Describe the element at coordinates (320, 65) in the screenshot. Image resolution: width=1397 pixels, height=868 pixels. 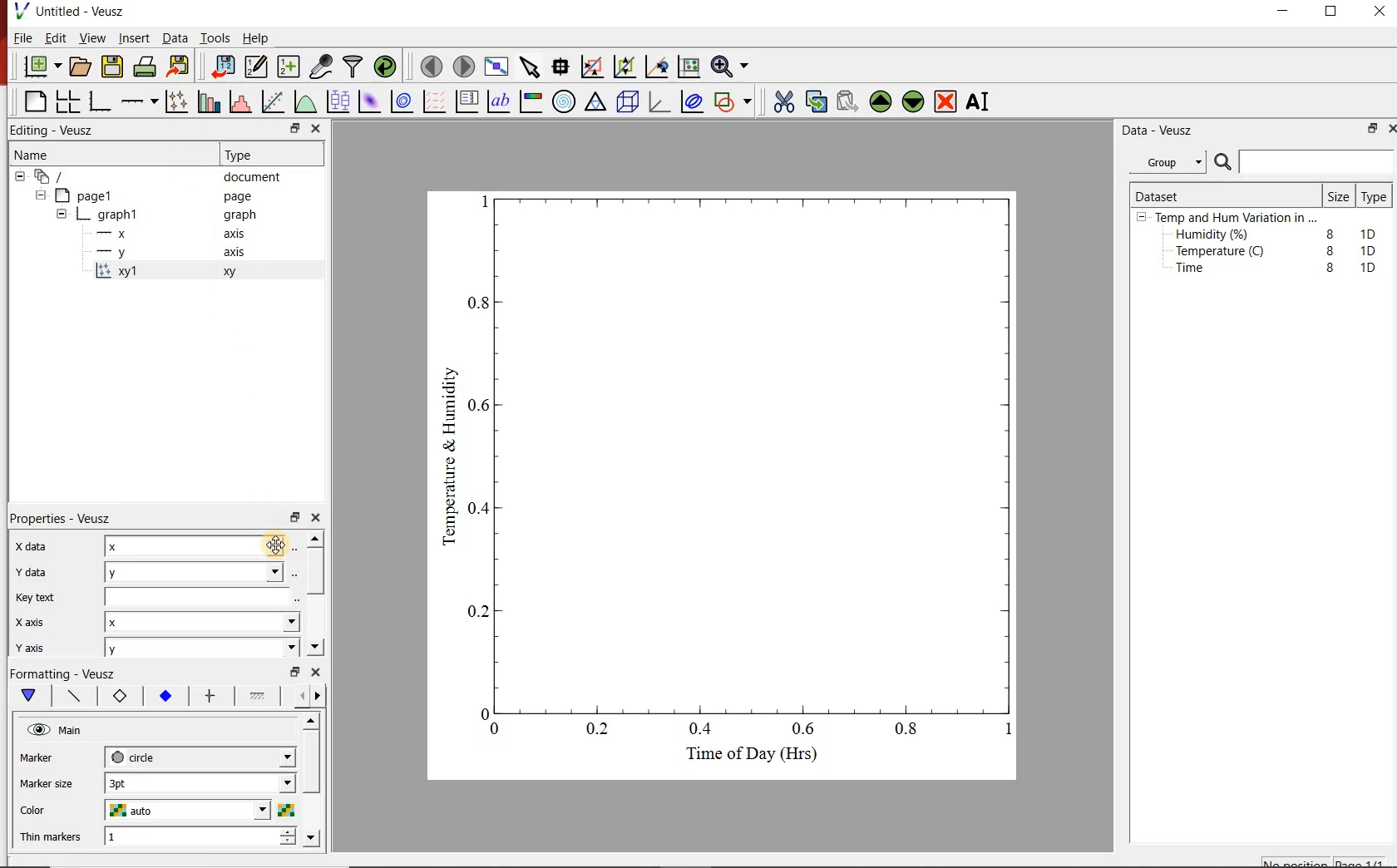
I see `capture remote data` at that location.